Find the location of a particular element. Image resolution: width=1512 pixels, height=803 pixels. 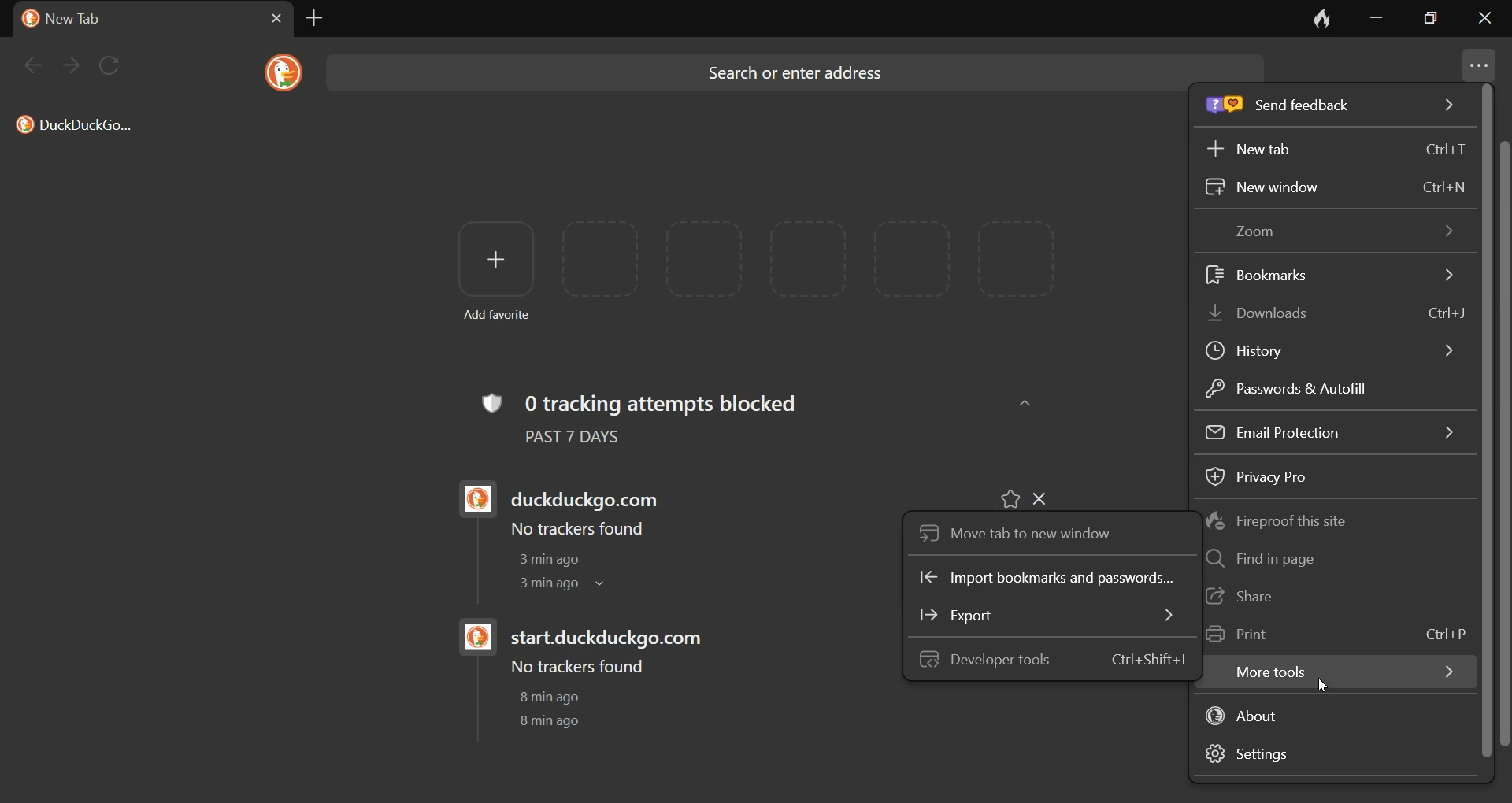

Find in page is located at coordinates (1260, 559).